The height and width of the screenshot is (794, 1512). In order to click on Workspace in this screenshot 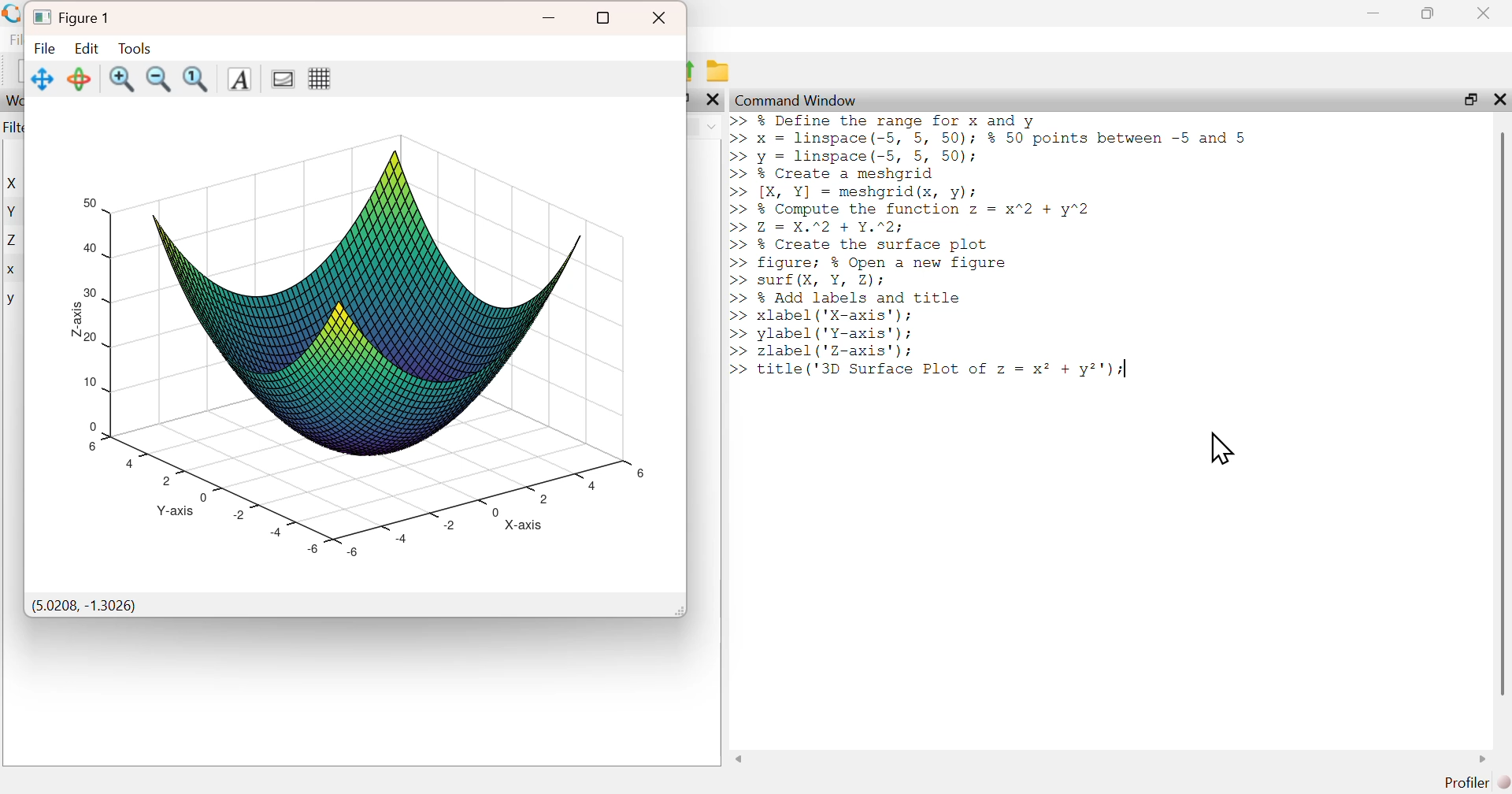, I will do `click(13, 101)`.